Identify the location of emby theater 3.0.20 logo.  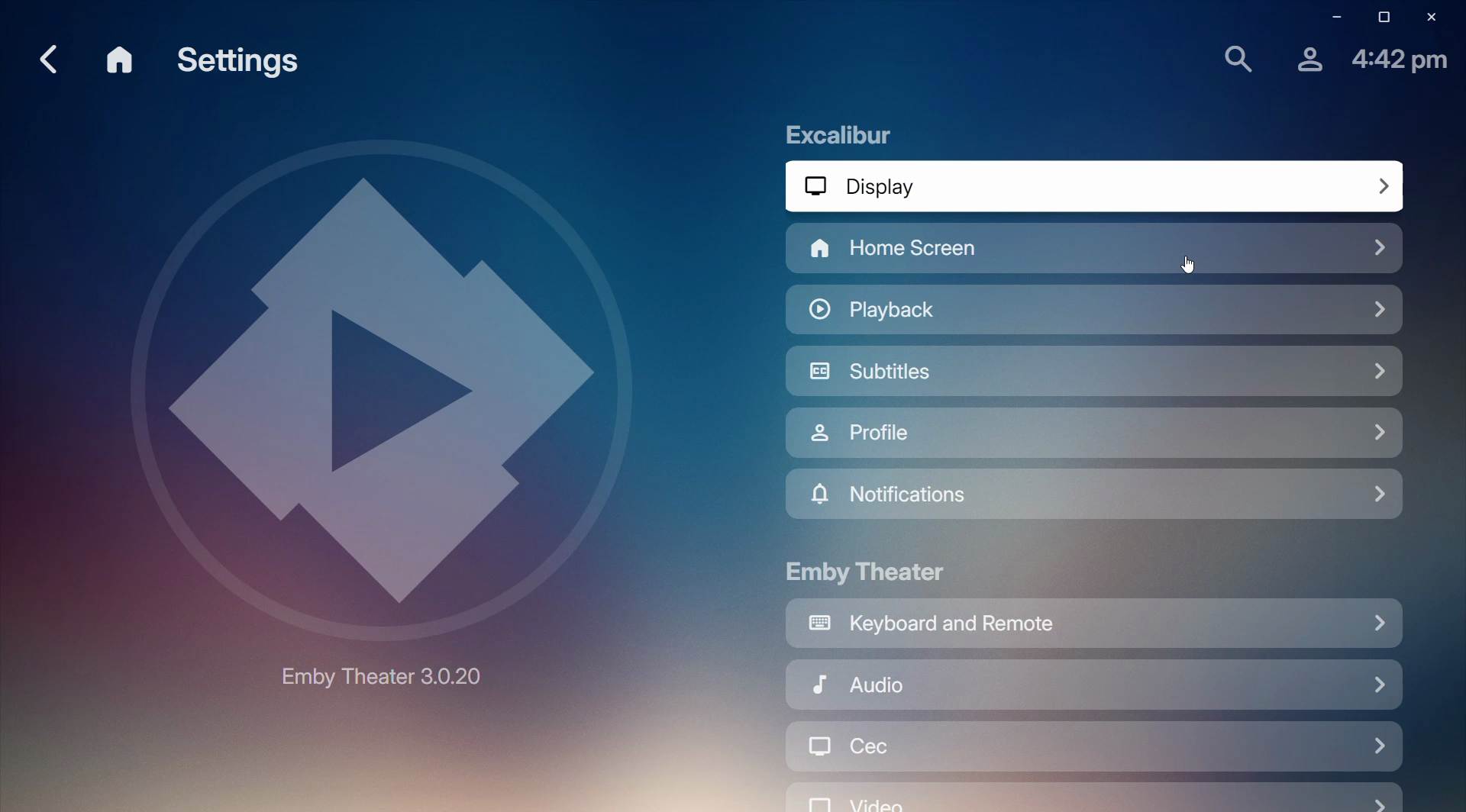
(402, 415).